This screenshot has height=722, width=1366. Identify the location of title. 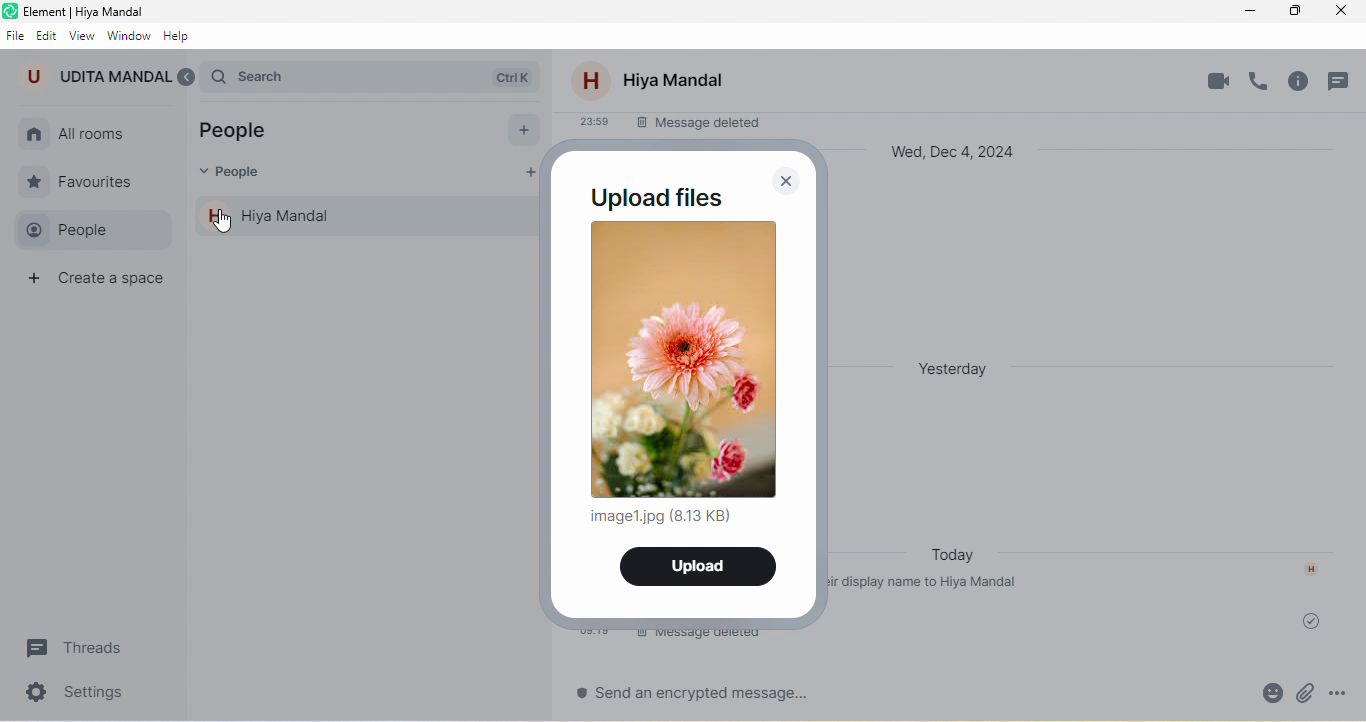
(93, 10).